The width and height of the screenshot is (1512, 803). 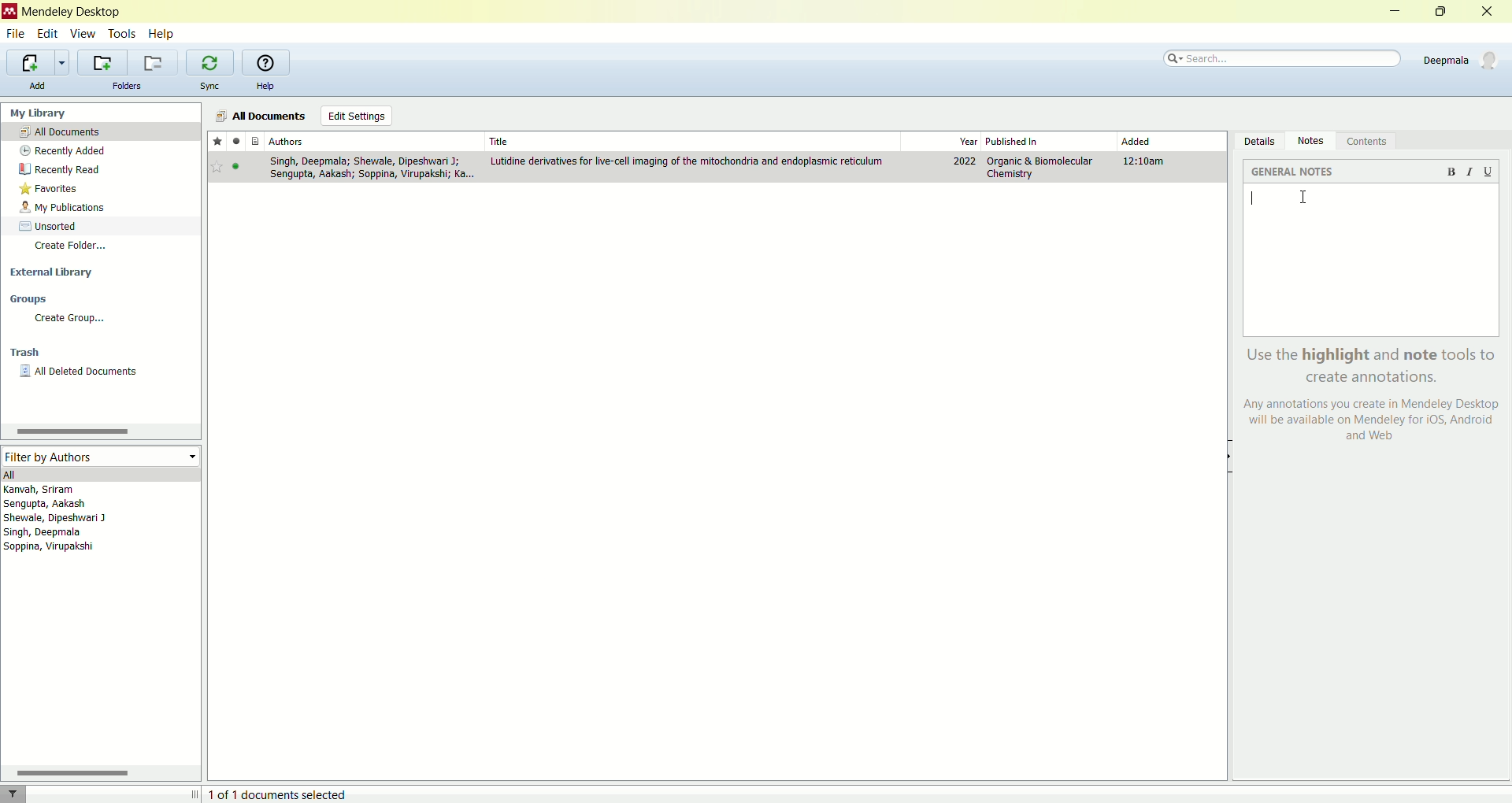 I want to click on contents, so click(x=1371, y=140).